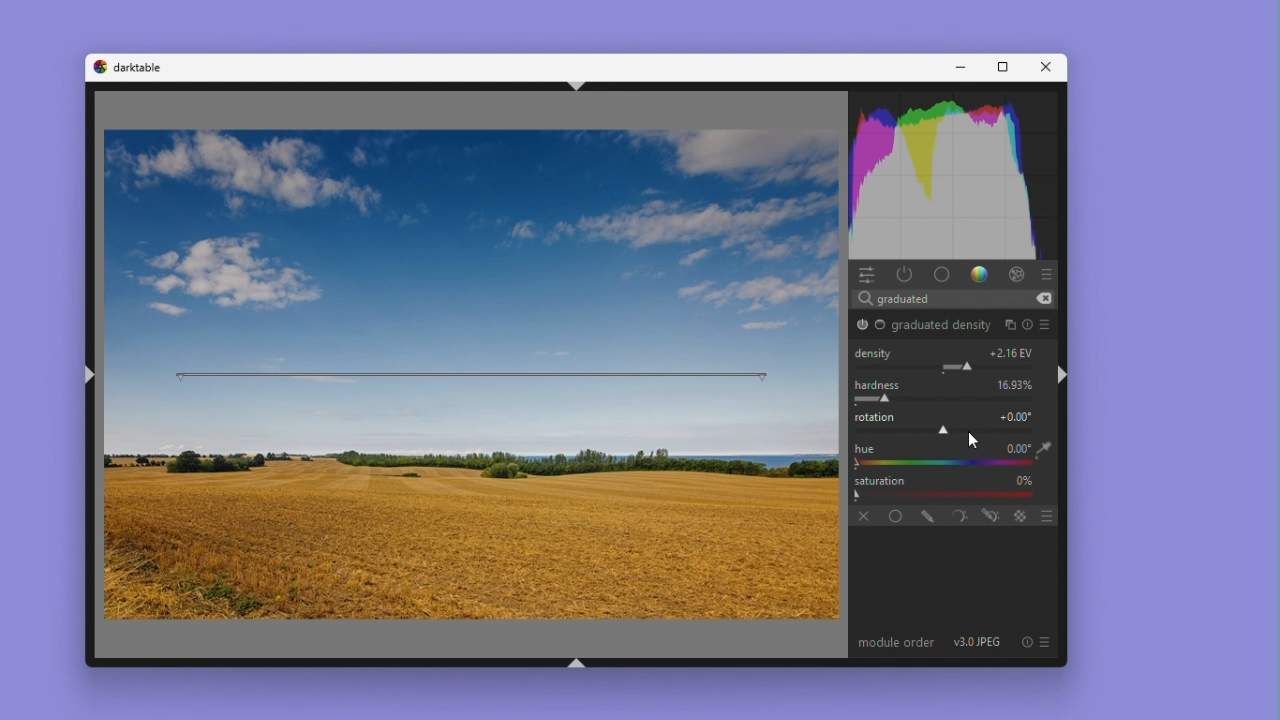 The height and width of the screenshot is (720, 1280). Describe the element at coordinates (1043, 67) in the screenshot. I see `Close` at that location.